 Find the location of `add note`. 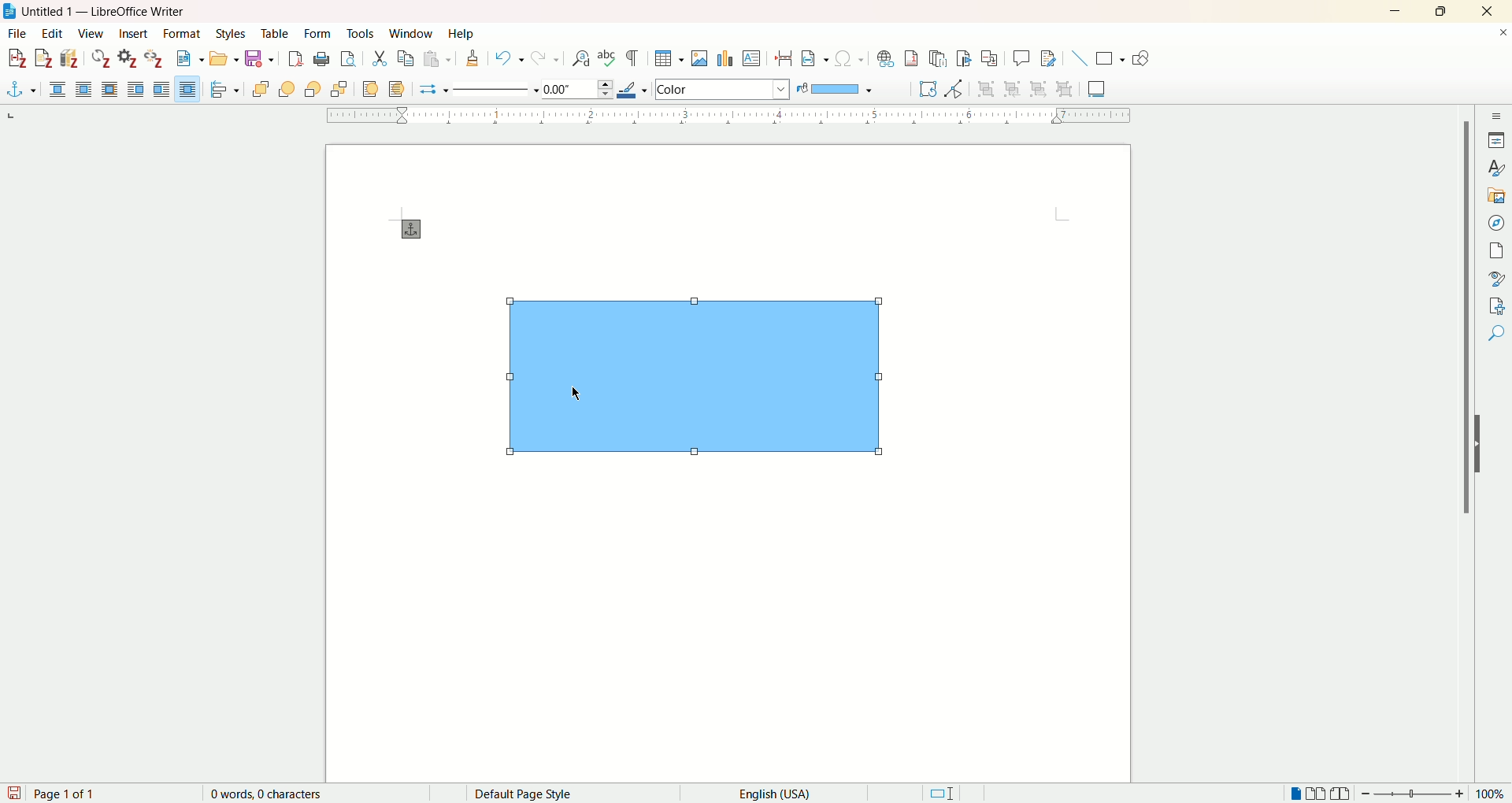

add note is located at coordinates (44, 58).